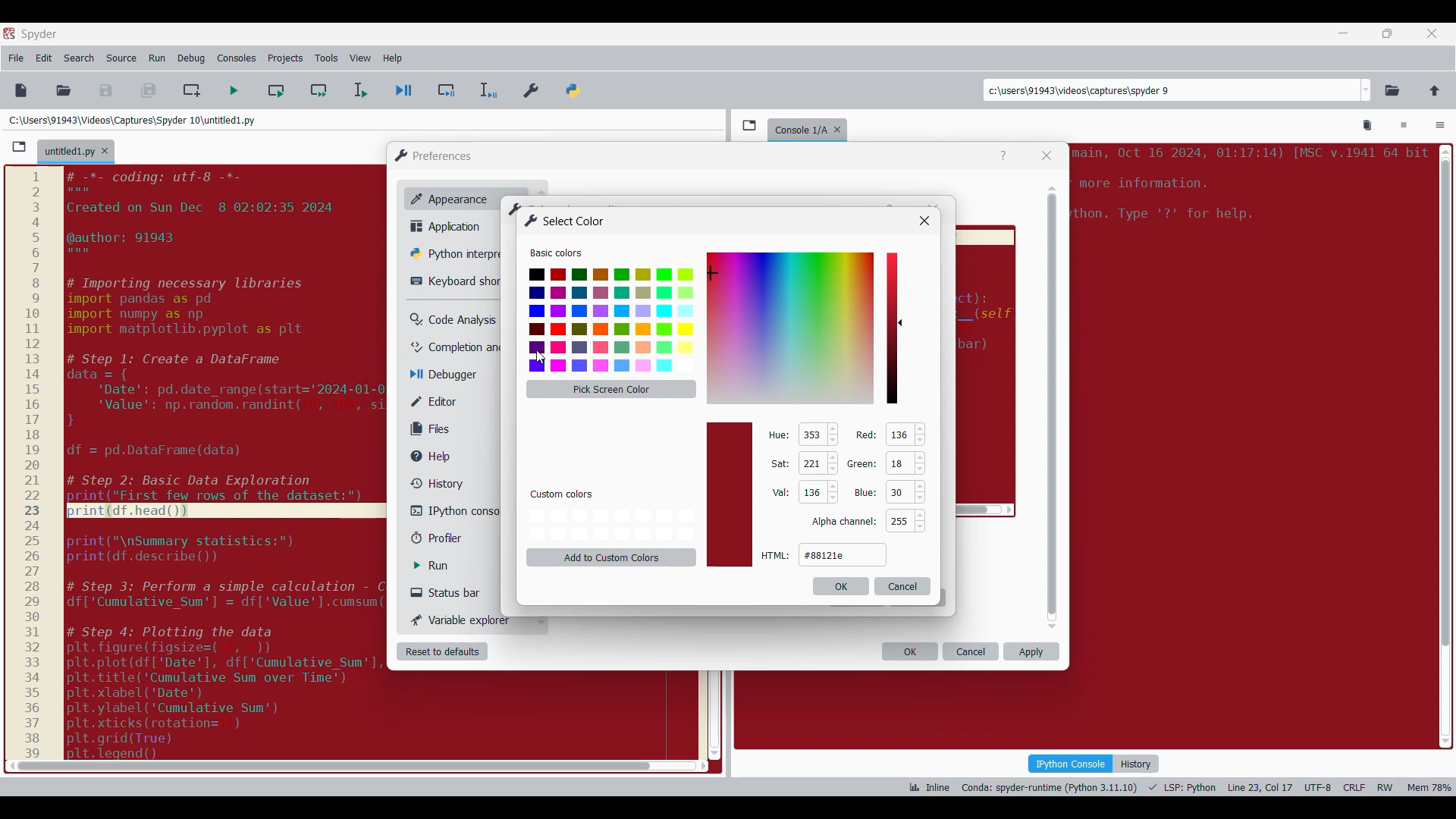  I want to click on Debug selection/current line, so click(487, 90).